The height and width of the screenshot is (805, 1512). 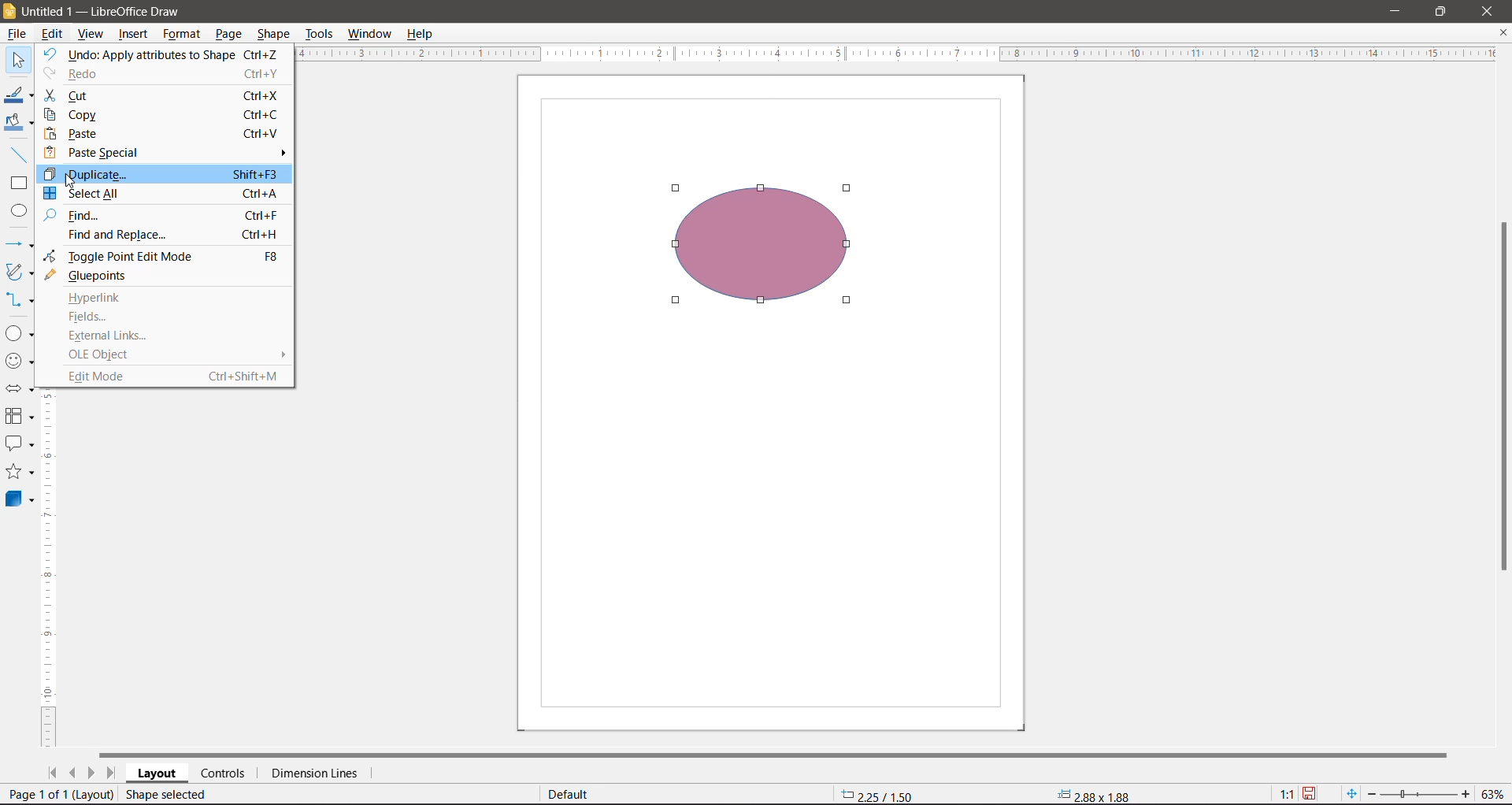 What do you see at coordinates (157, 773) in the screenshot?
I see `Layout` at bounding box center [157, 773].